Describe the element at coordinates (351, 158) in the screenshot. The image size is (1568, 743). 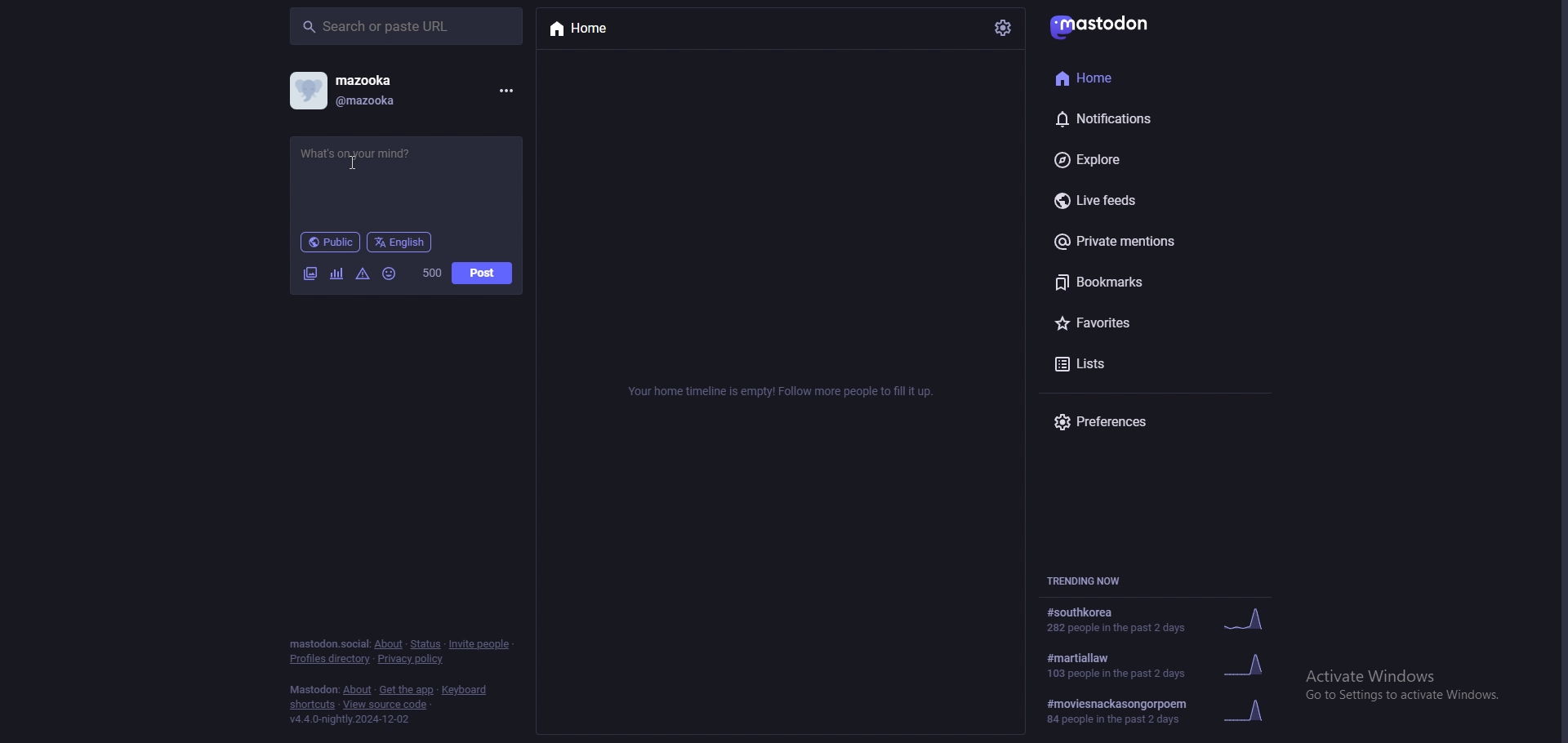
I see `Cursor` at that location.